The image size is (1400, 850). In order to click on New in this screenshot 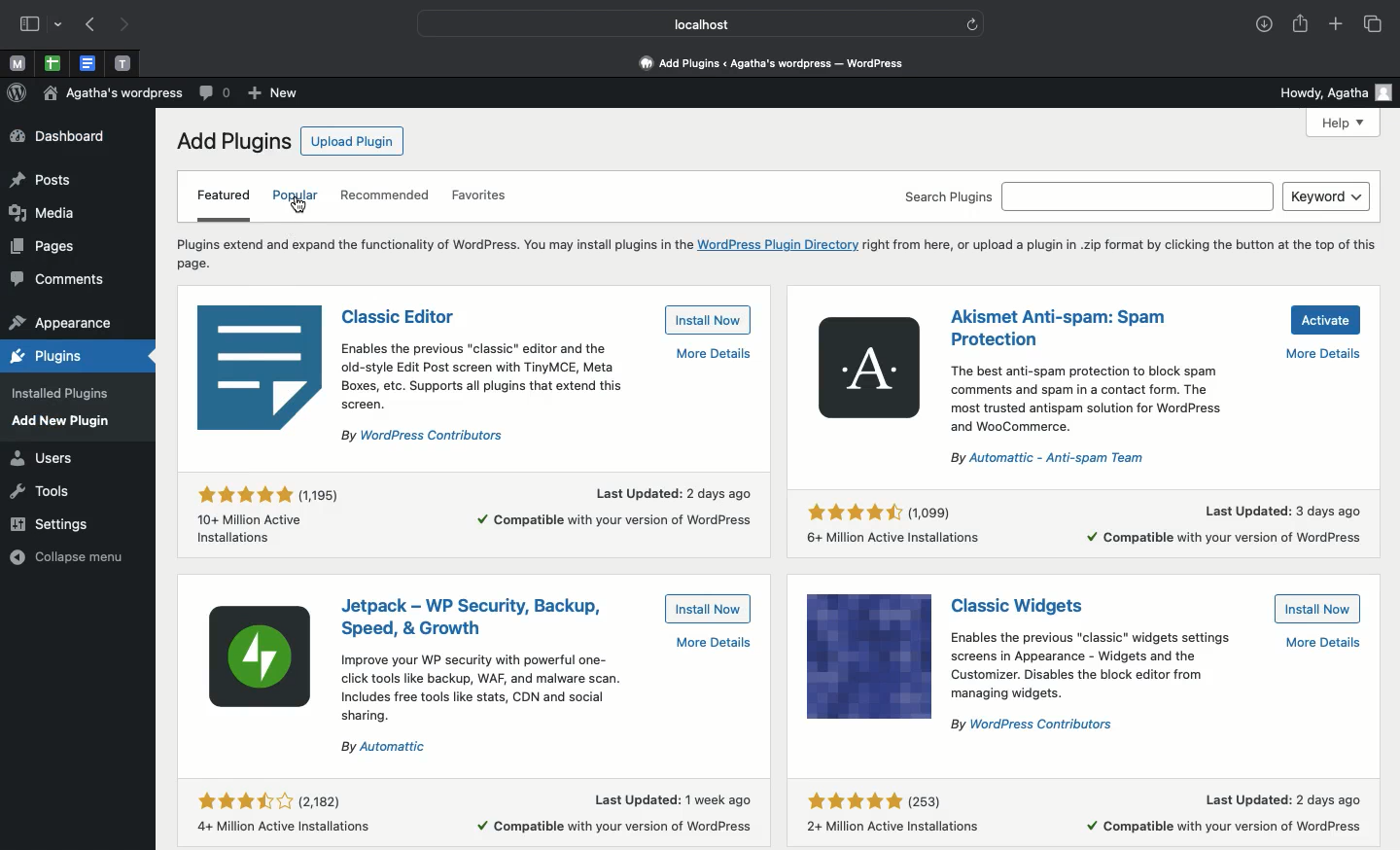, I will do `click(272, 92)`.